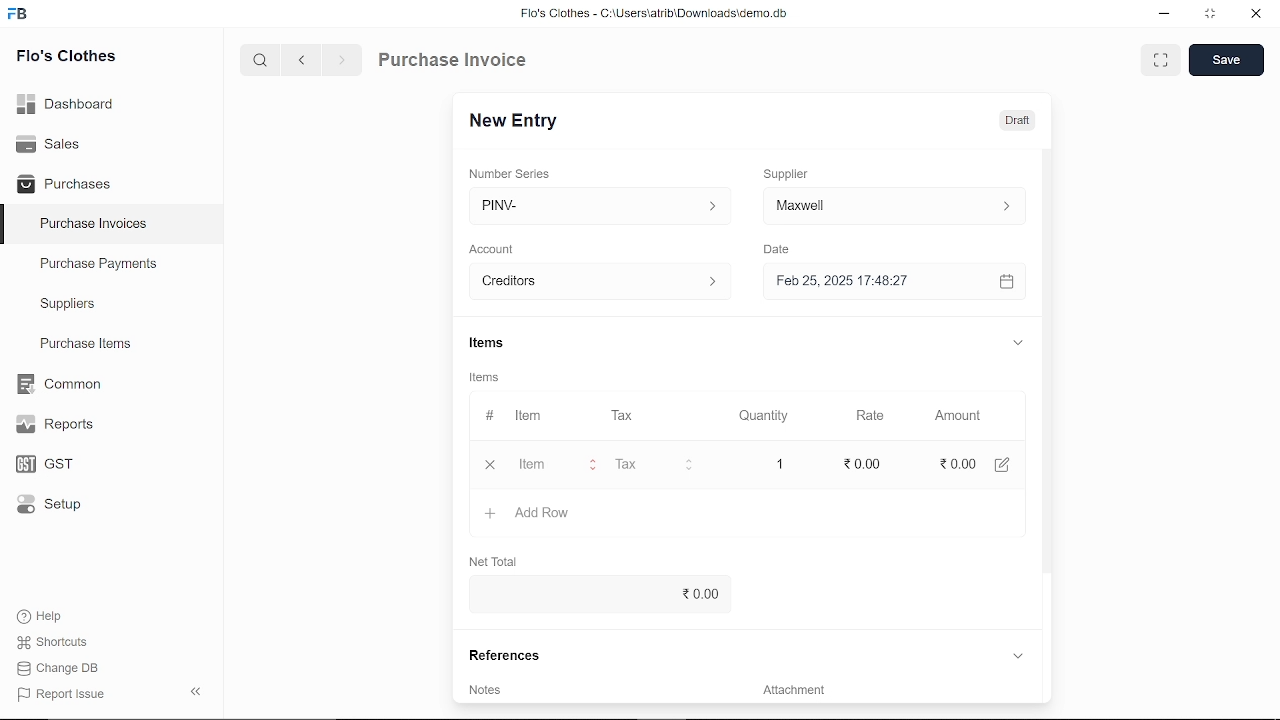  What do you see at coordinates (456, 62) in the screenshot?
I see `Purchase Invoice` at bounding box center [456, 62].